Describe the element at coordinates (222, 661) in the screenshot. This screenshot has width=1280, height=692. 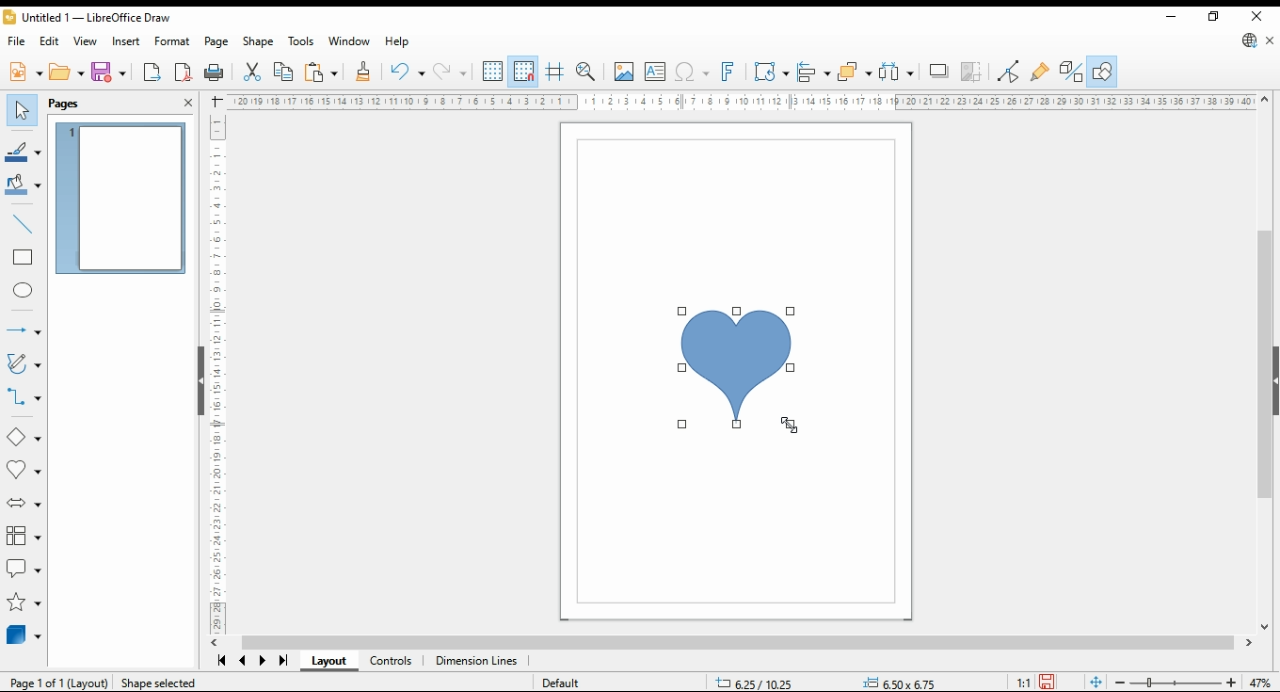
I see `first page` at that location.